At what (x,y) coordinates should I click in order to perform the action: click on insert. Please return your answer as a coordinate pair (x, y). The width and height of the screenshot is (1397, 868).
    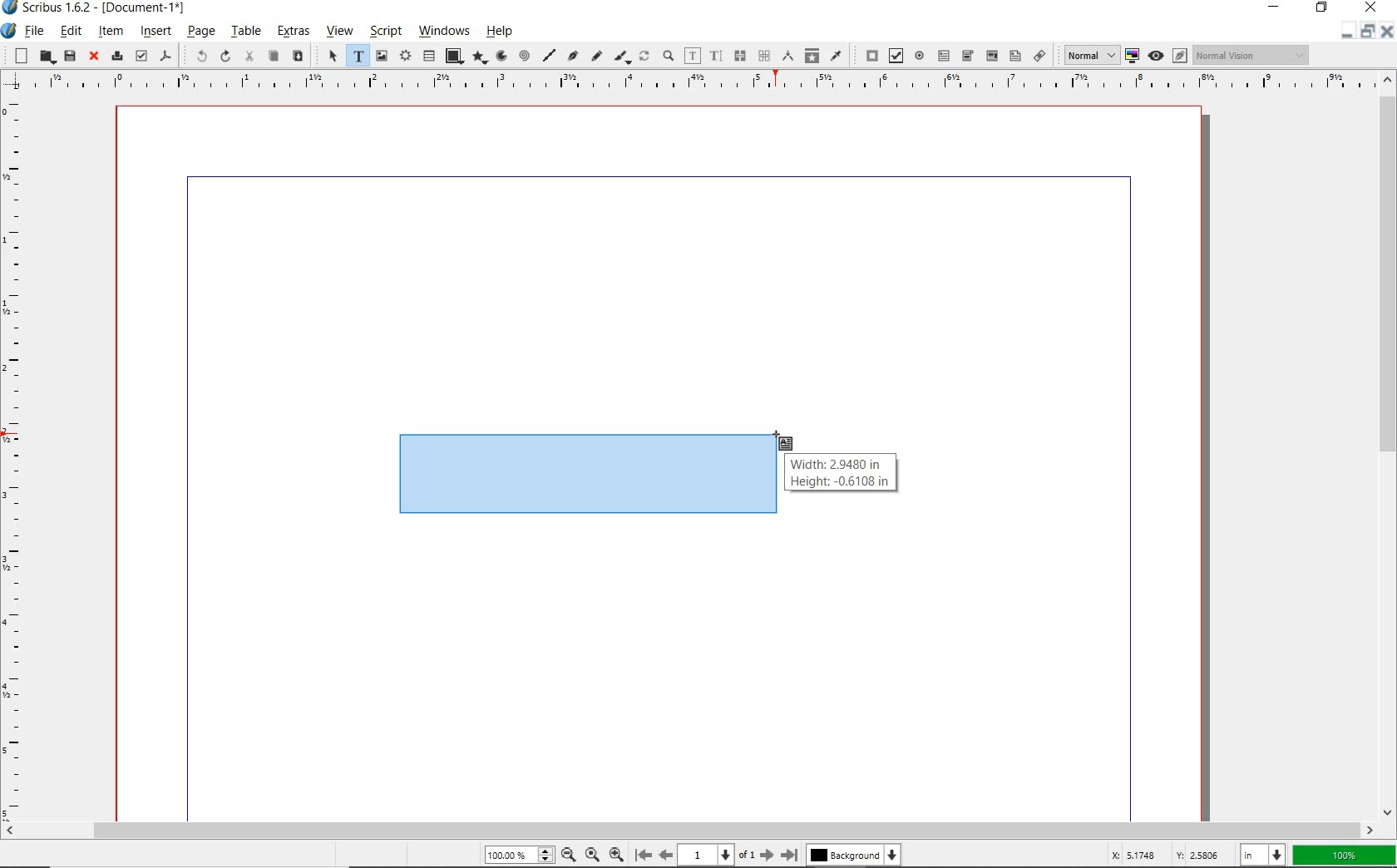
    Looking at the image, I should click on (155, 32).